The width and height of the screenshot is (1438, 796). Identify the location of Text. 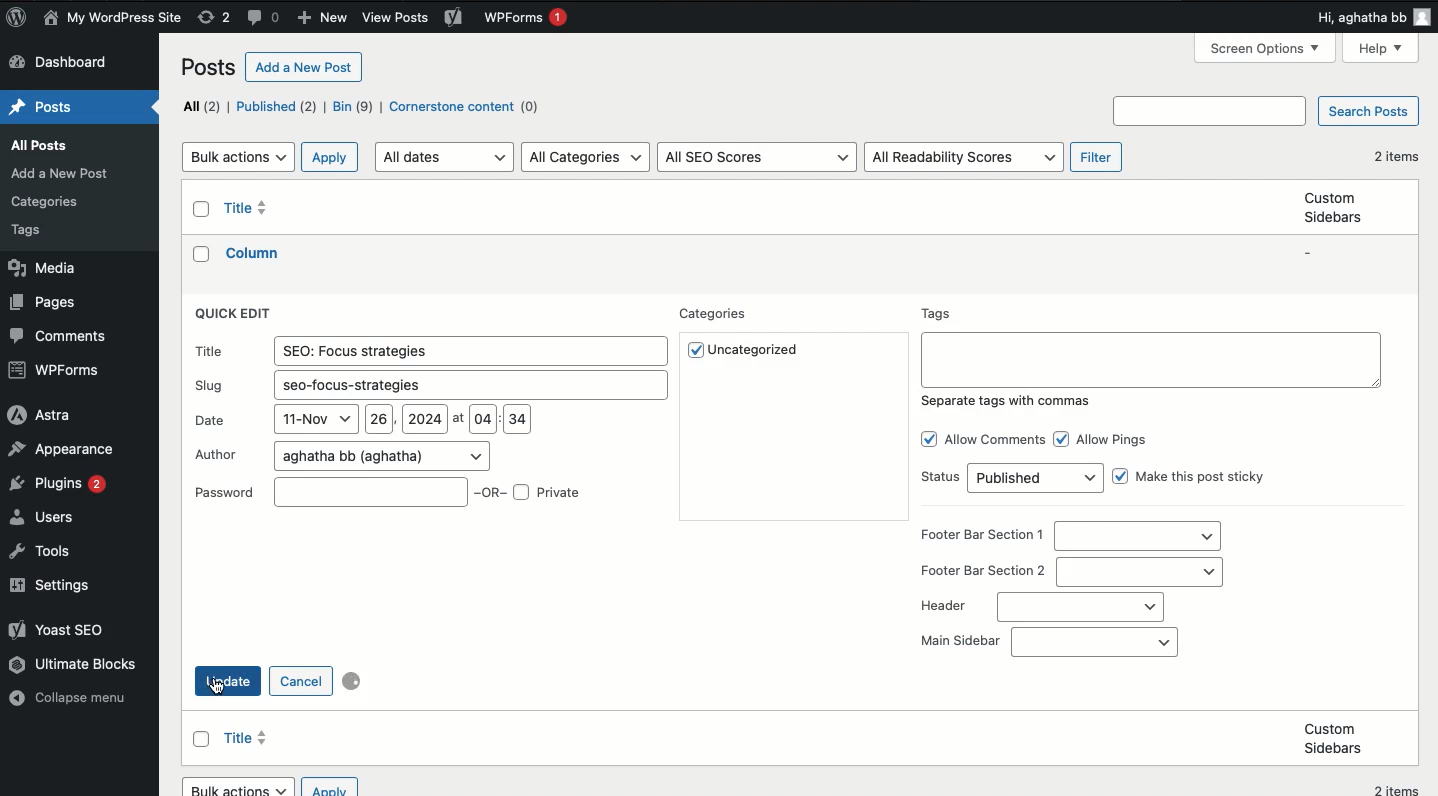
(1150, 358).